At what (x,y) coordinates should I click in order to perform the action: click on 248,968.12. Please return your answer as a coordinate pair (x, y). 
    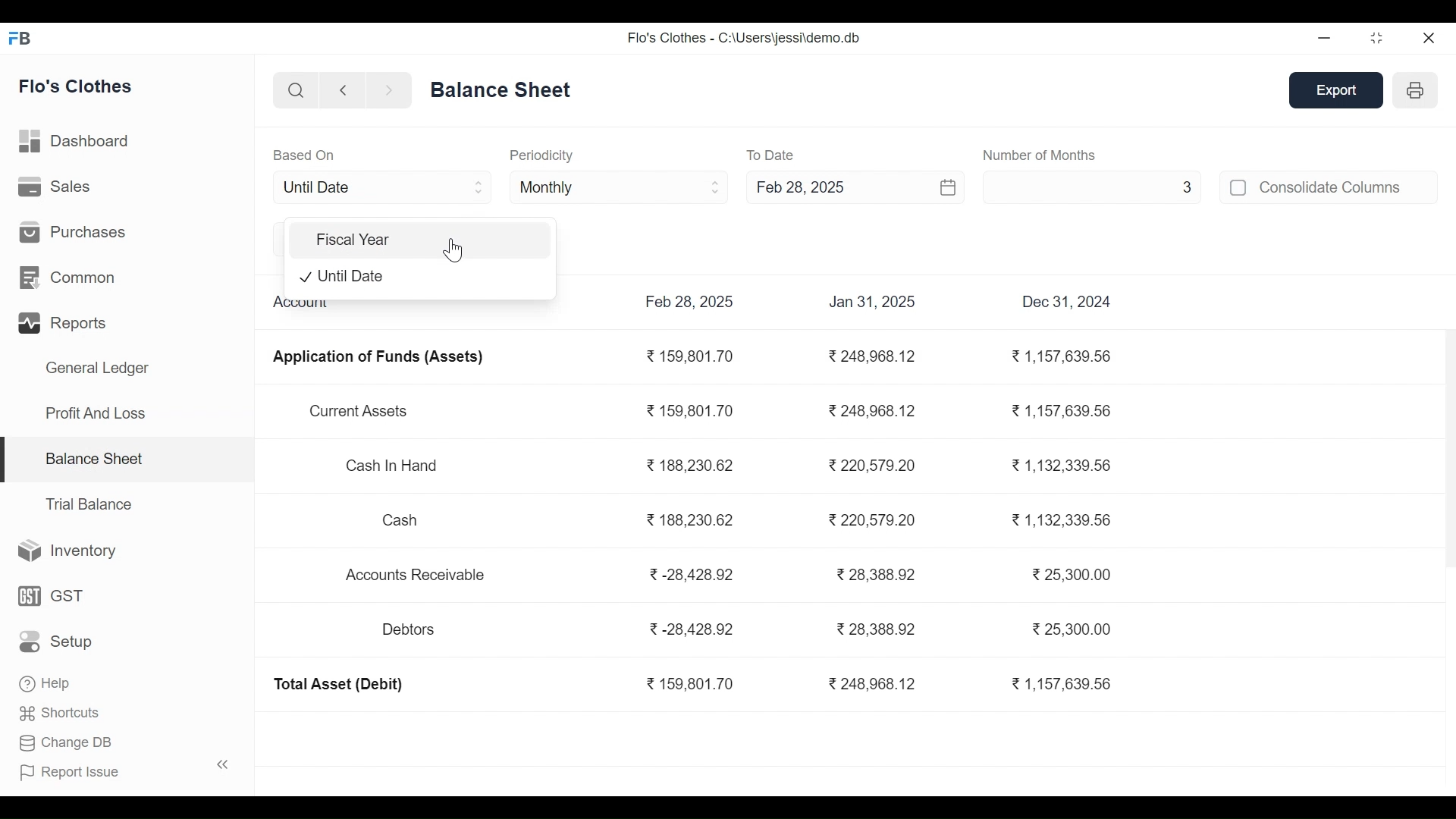
    Looking at the image, I should click on (874, 357).